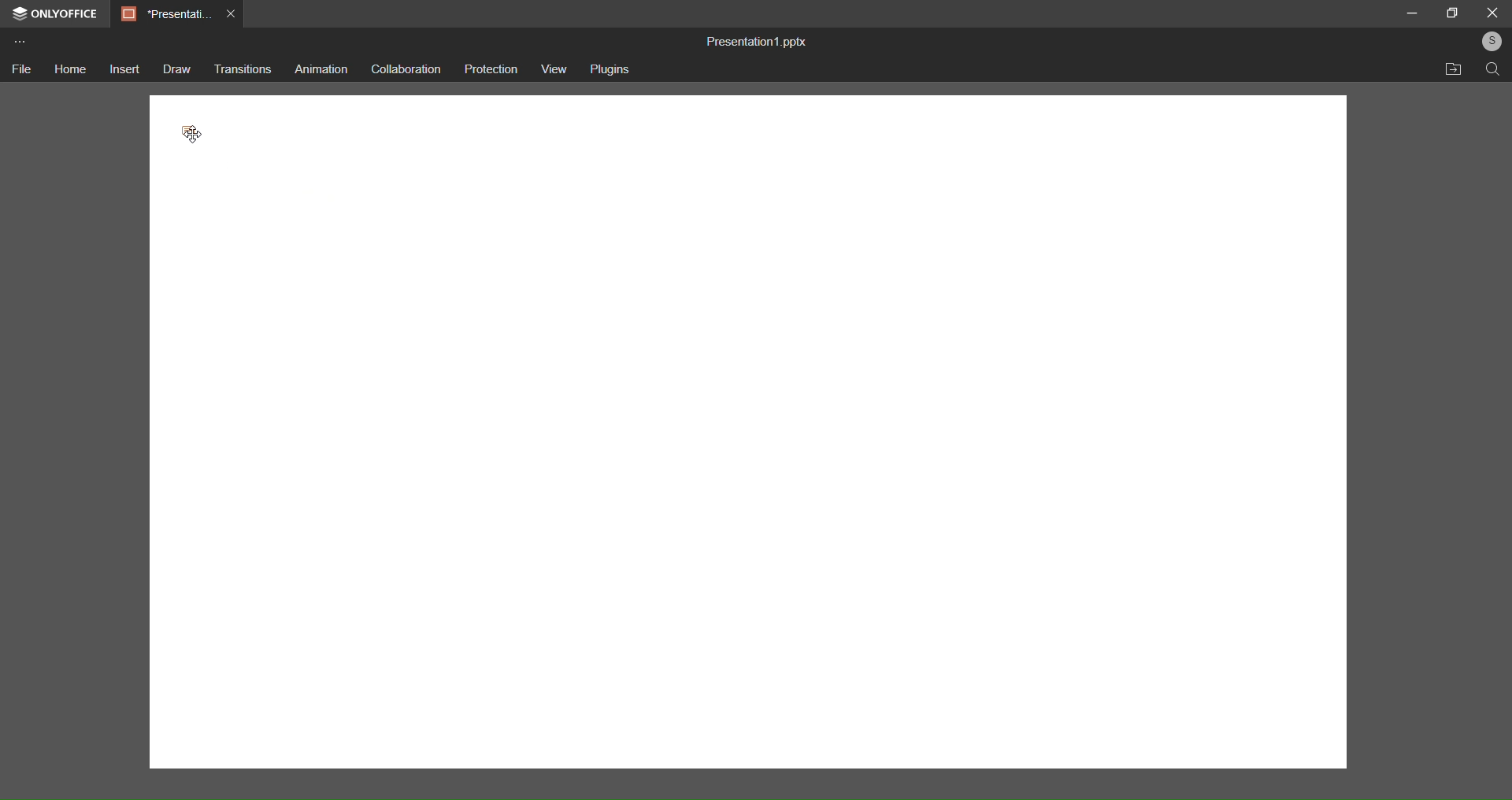 This screenshot has height=800, width=1512. I want to click on close tab, so click(230, 16).